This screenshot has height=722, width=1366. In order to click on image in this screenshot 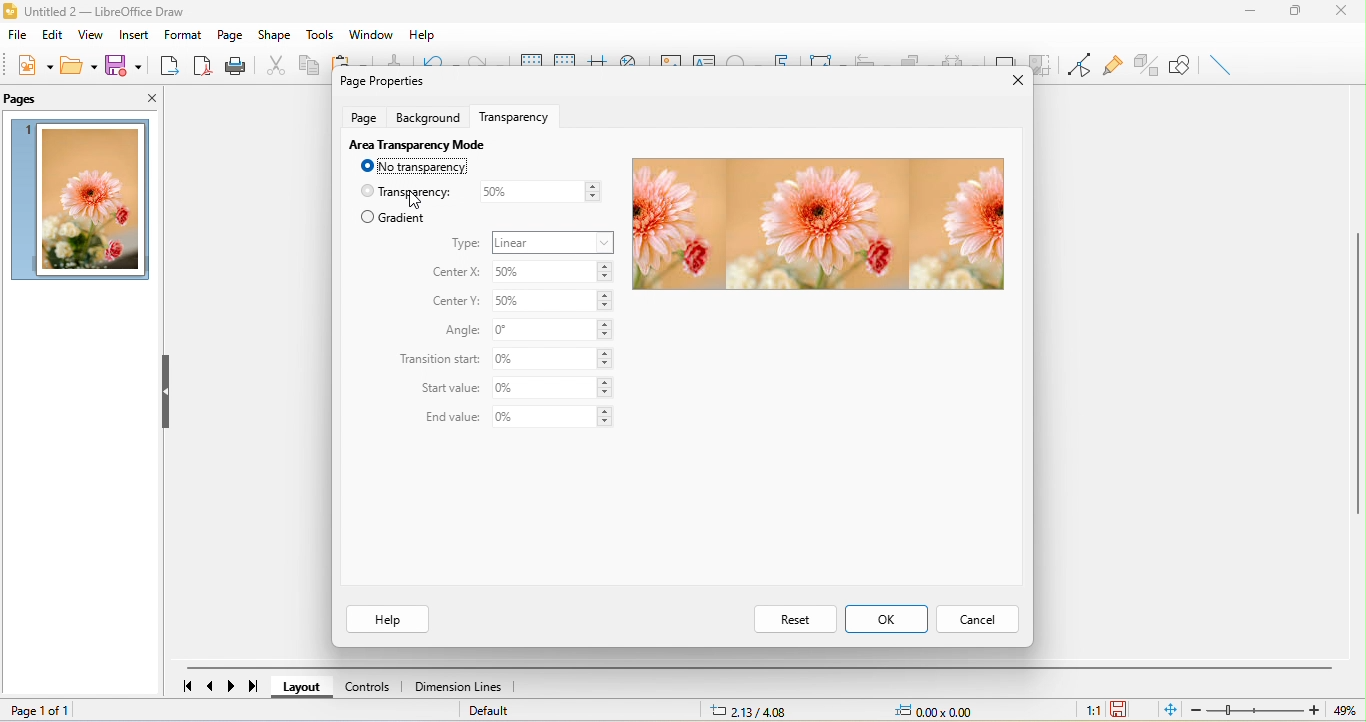, I will do `click(82, 200)`.